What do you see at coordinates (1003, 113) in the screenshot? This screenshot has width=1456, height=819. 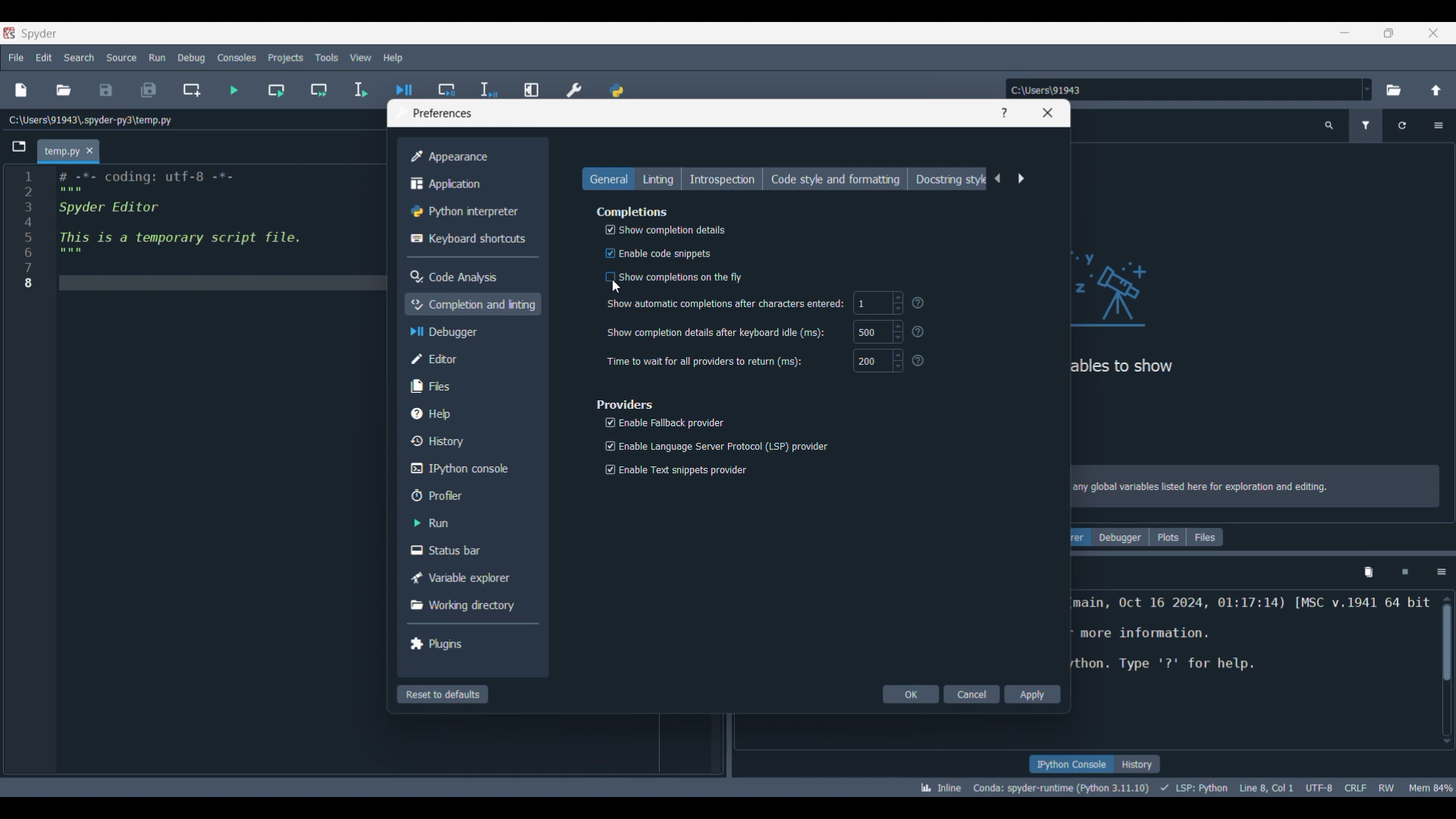 I see `Help` at bounding box center [1003, 113].